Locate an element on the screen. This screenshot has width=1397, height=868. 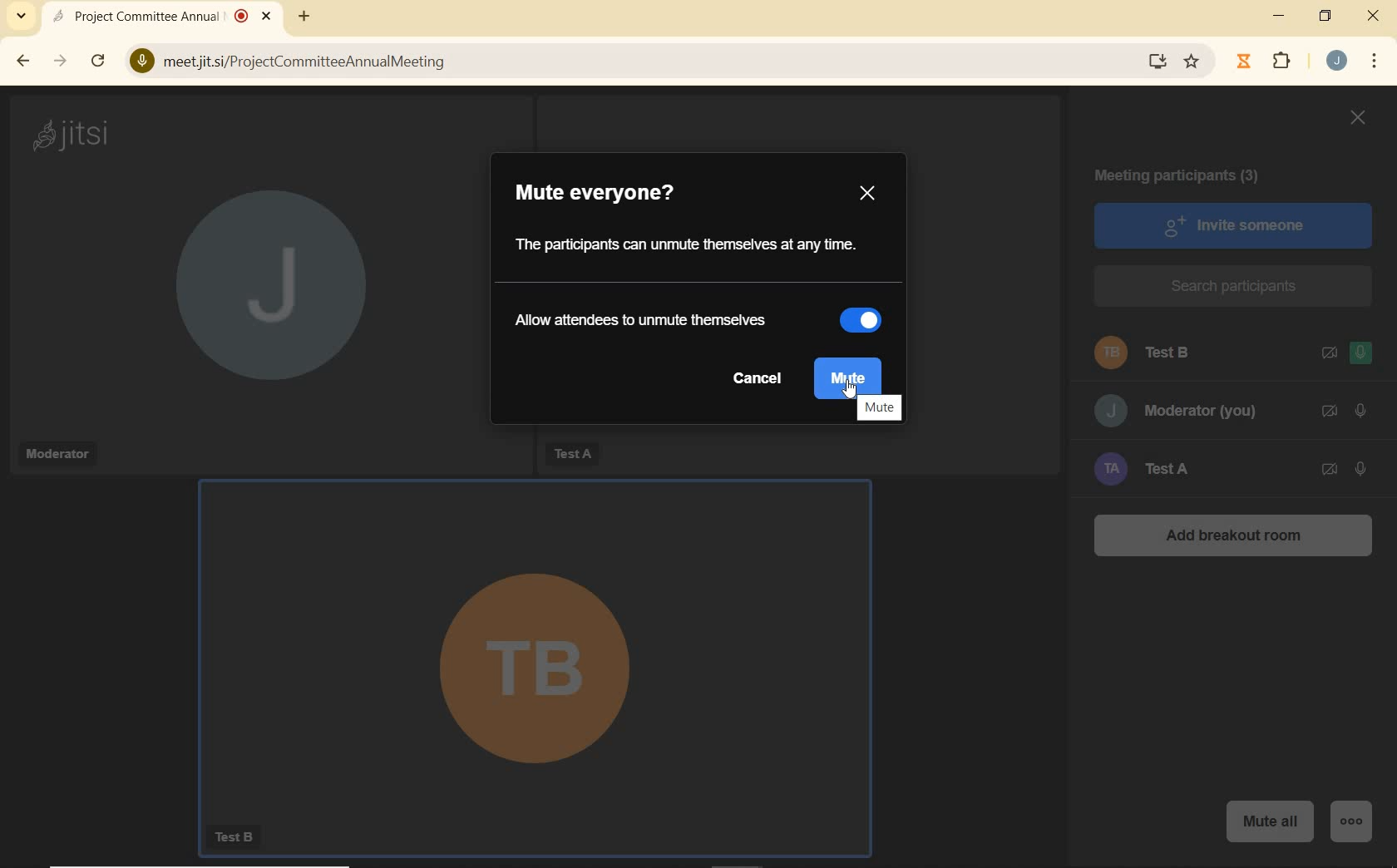
recording is located at coordinates (241, 15).